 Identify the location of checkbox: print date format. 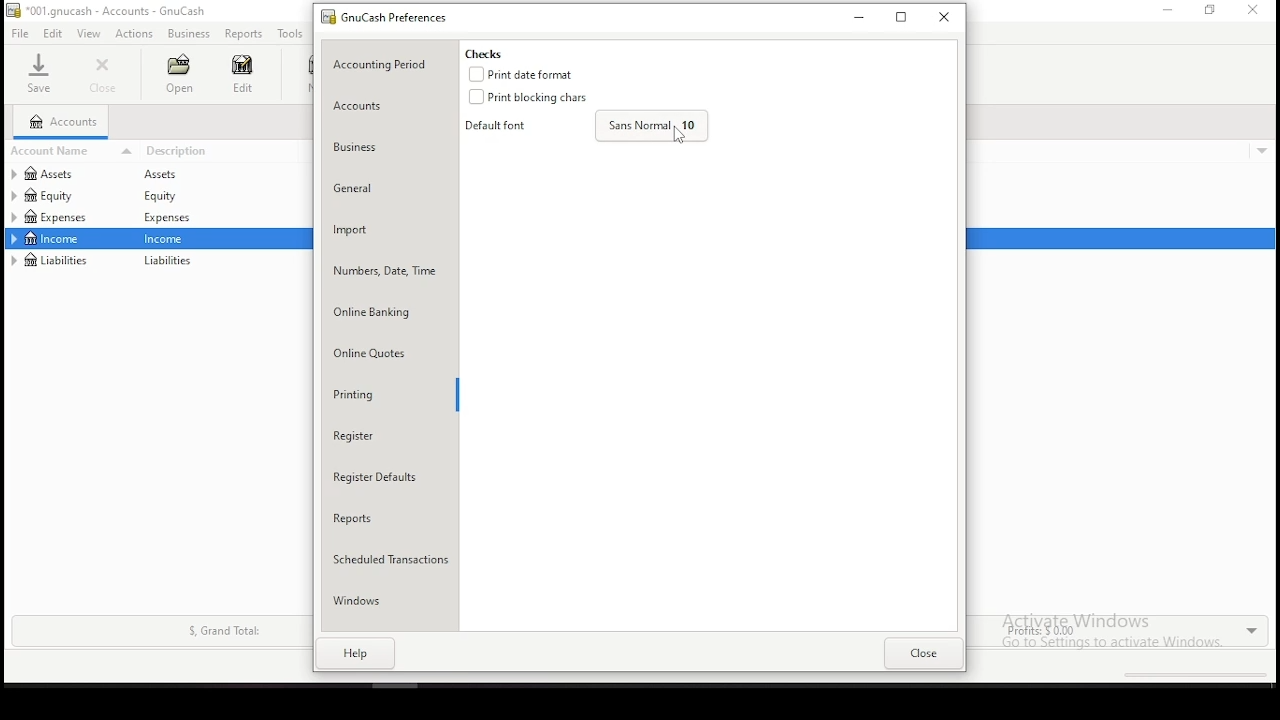
(528, 73).